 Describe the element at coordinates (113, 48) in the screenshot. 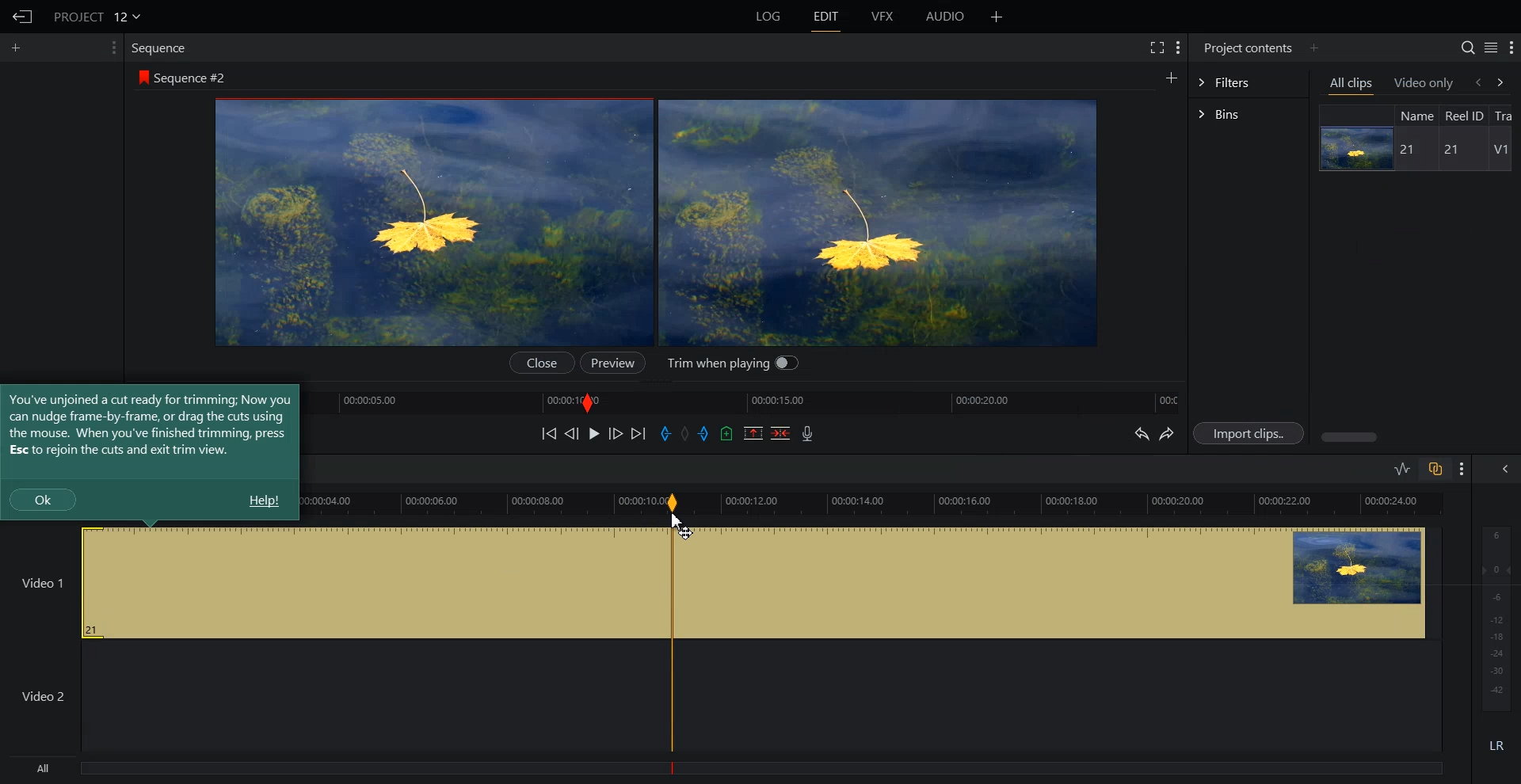

I see `Show Setting Menu` at that location.